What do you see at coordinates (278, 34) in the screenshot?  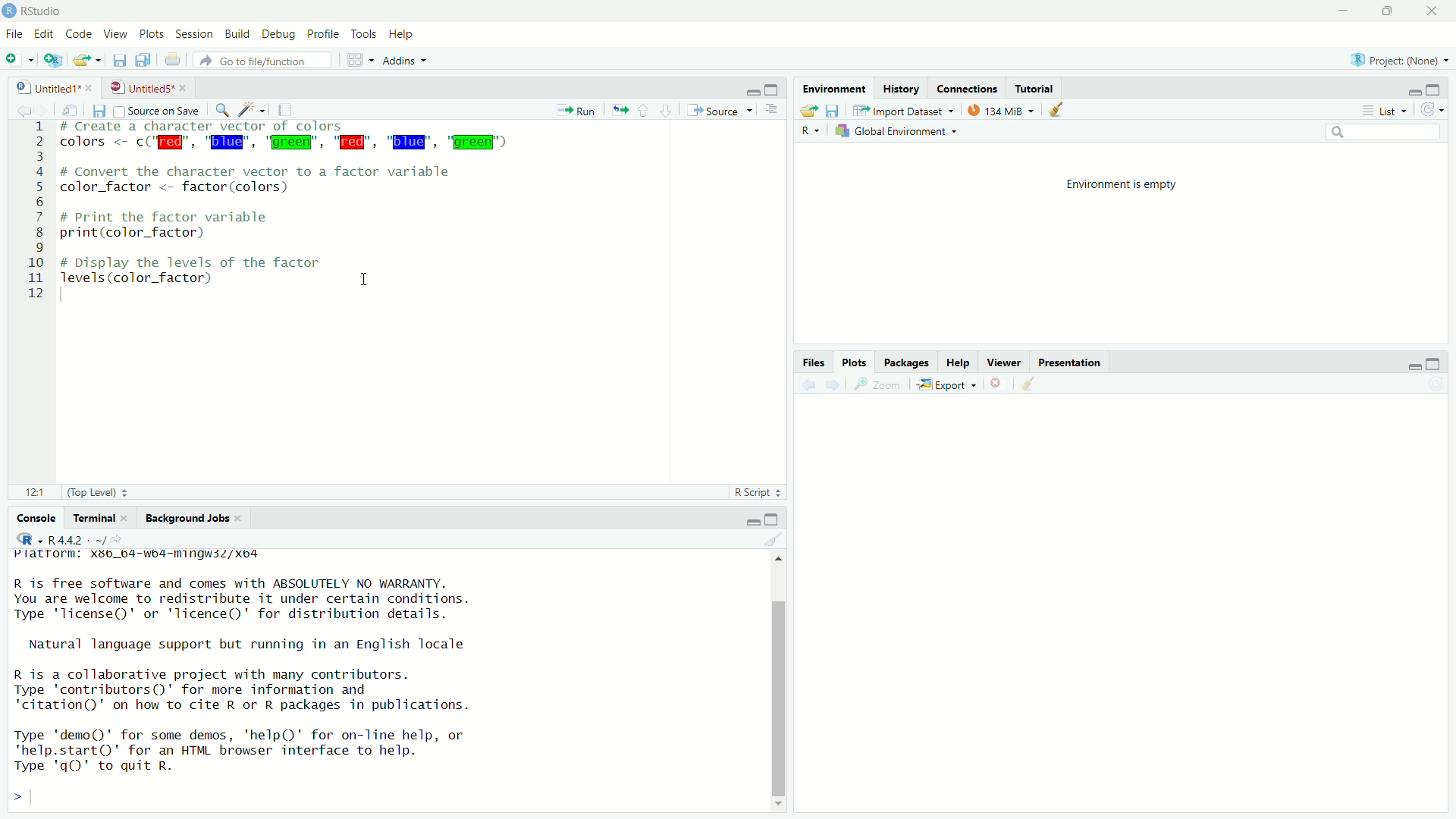 I see `debug` at bounding box center [278, 34].